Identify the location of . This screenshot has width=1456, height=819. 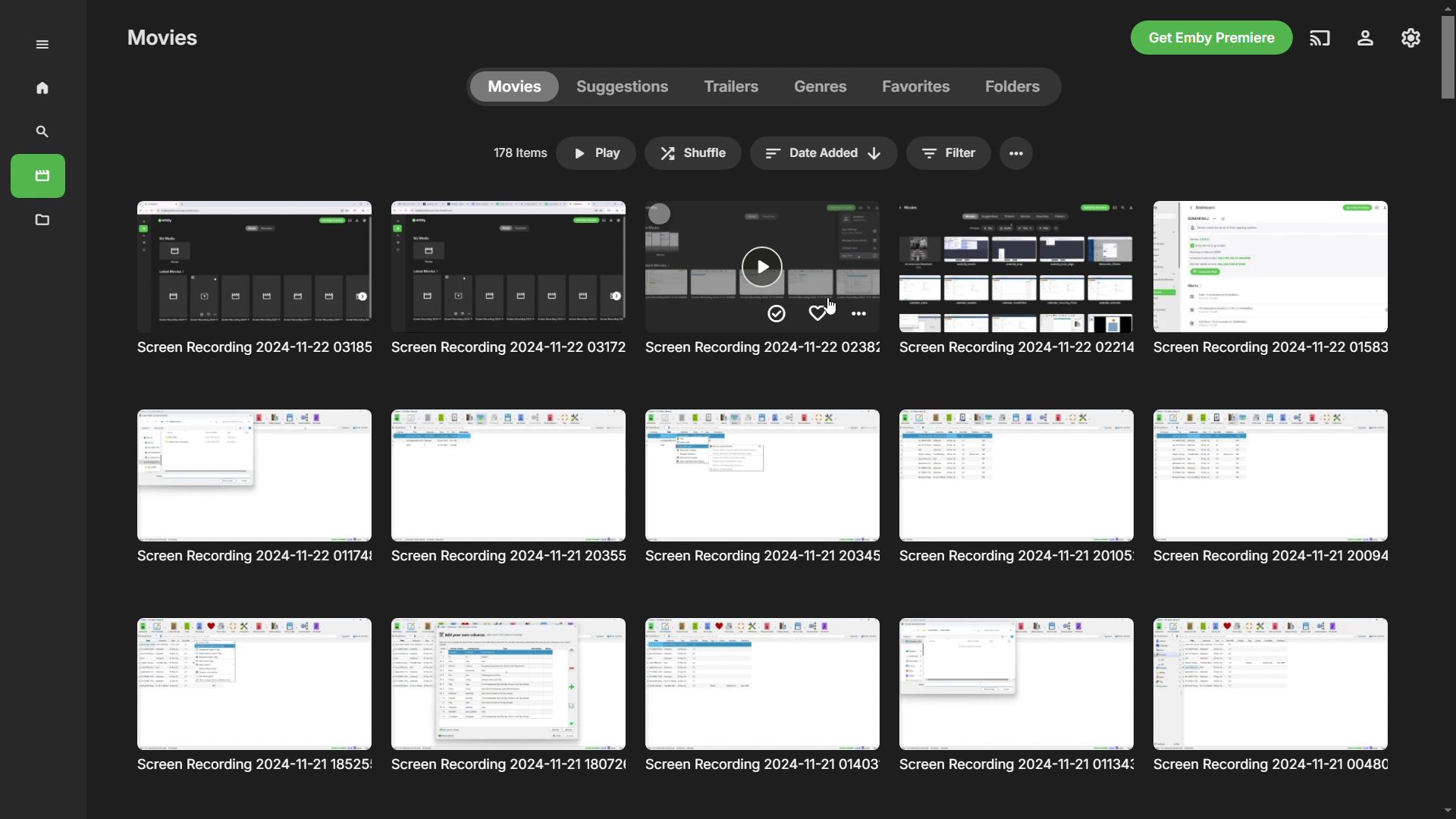
(764, 485).